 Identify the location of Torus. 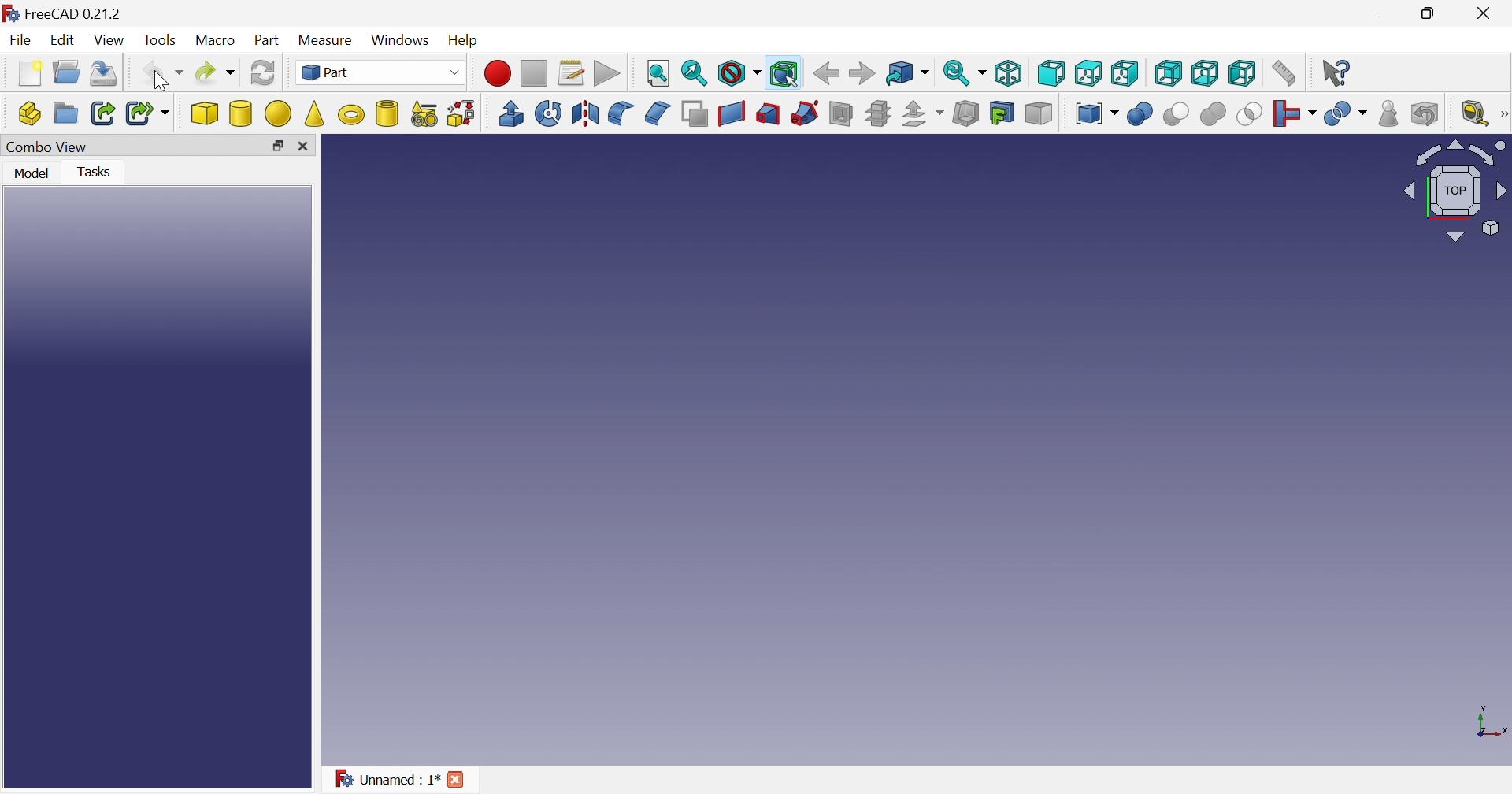
(917, 451).